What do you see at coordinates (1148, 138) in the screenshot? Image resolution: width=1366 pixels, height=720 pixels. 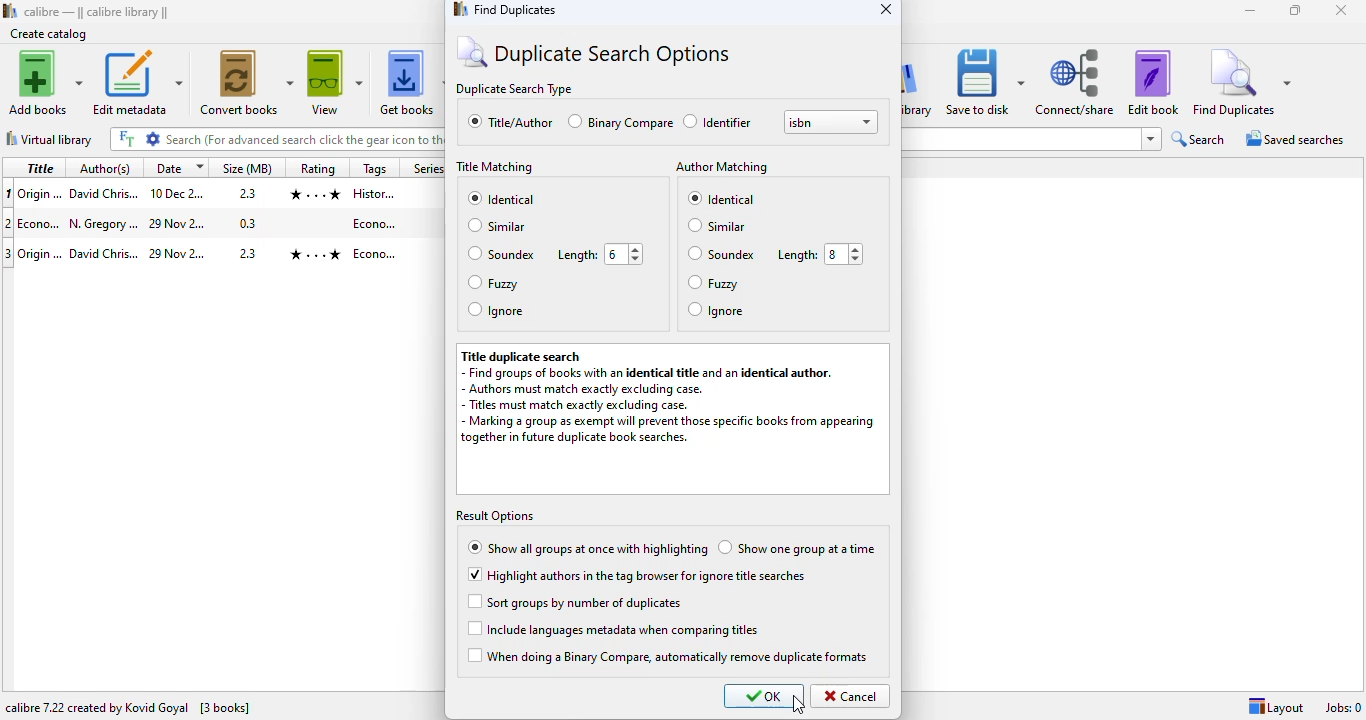 I see `more` at bounding box center [1148, 138].